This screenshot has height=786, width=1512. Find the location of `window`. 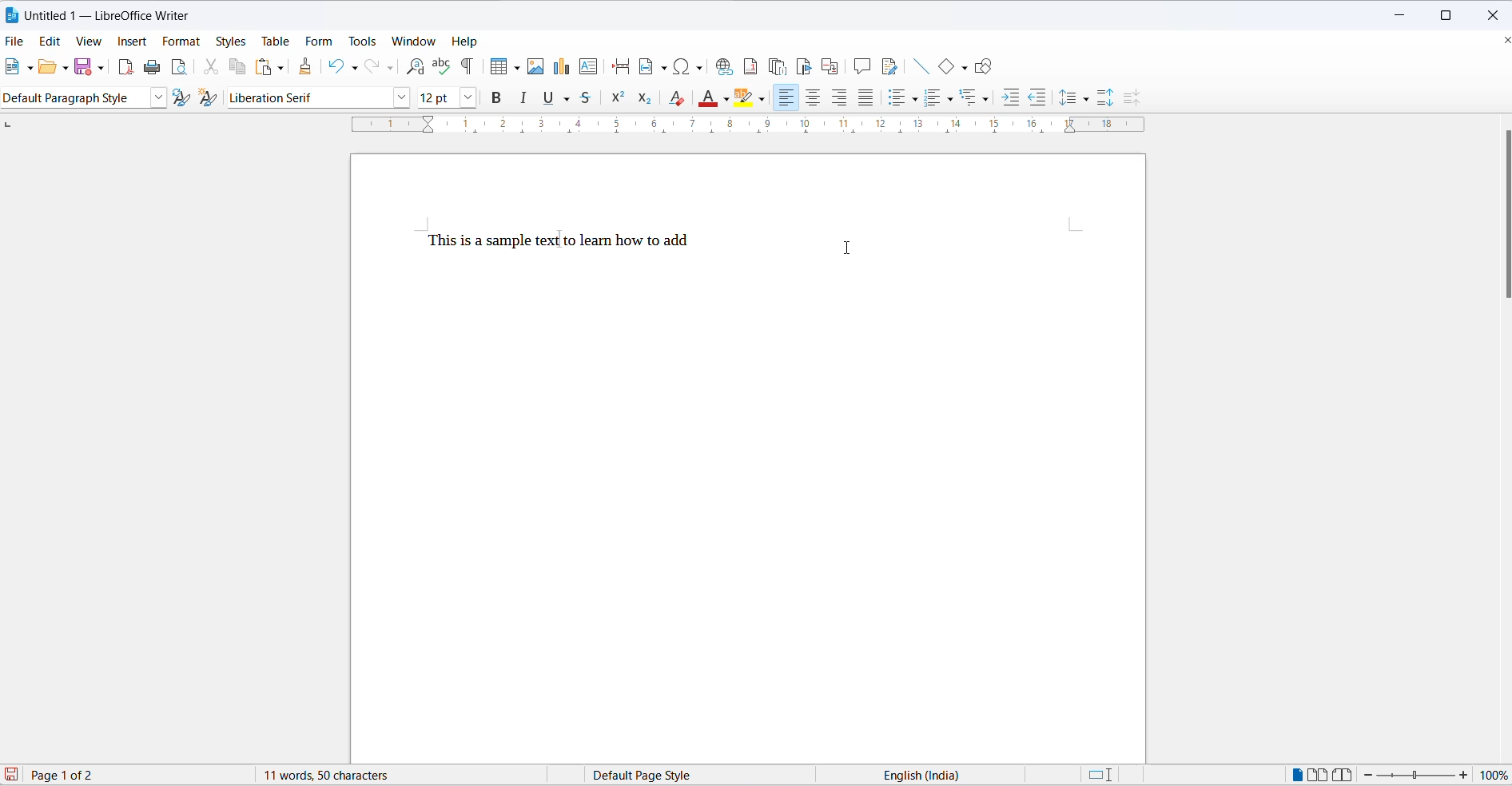

window is located at coordinates (413, 41).